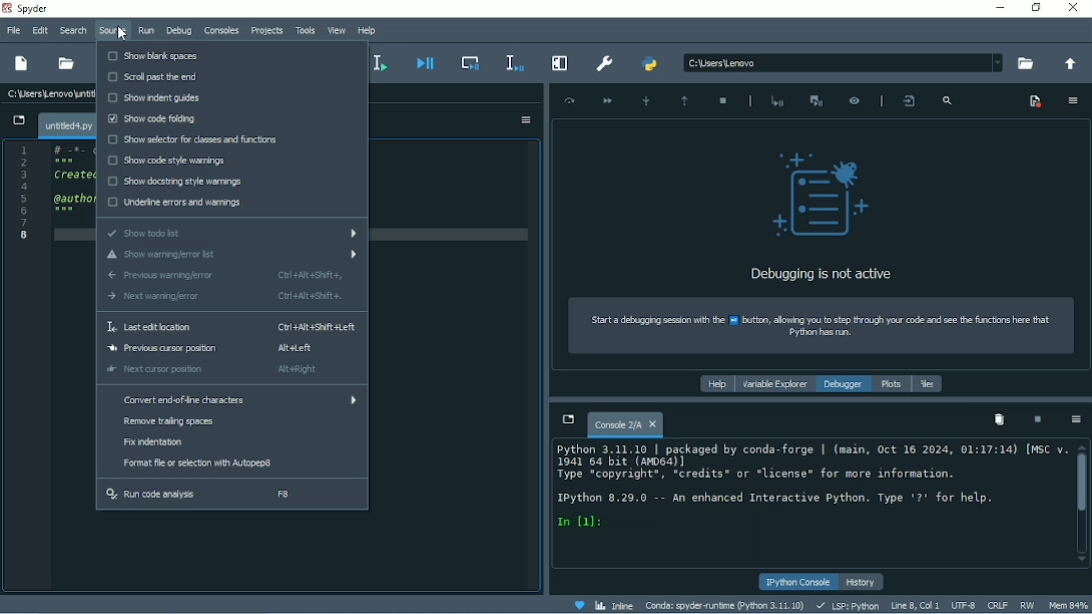  What do you see at coordinates (226, 139) in the screenshot?
I see `Show selector for classes and functions` at bounding box center [226, 139].